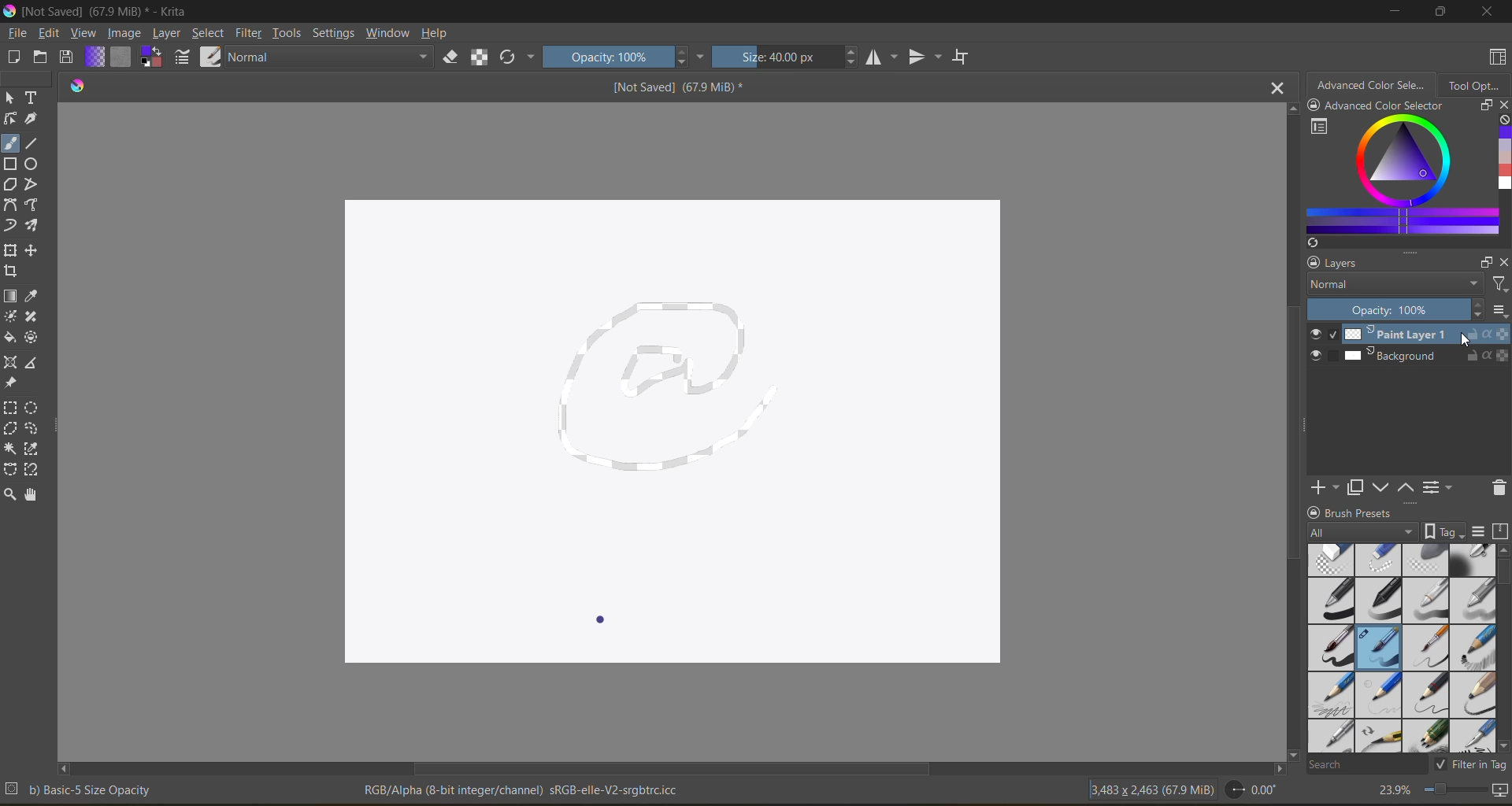 Image resolution: width=1512 pixels, height=806 pixels. I want to click on pencil, so click(1330, 695).